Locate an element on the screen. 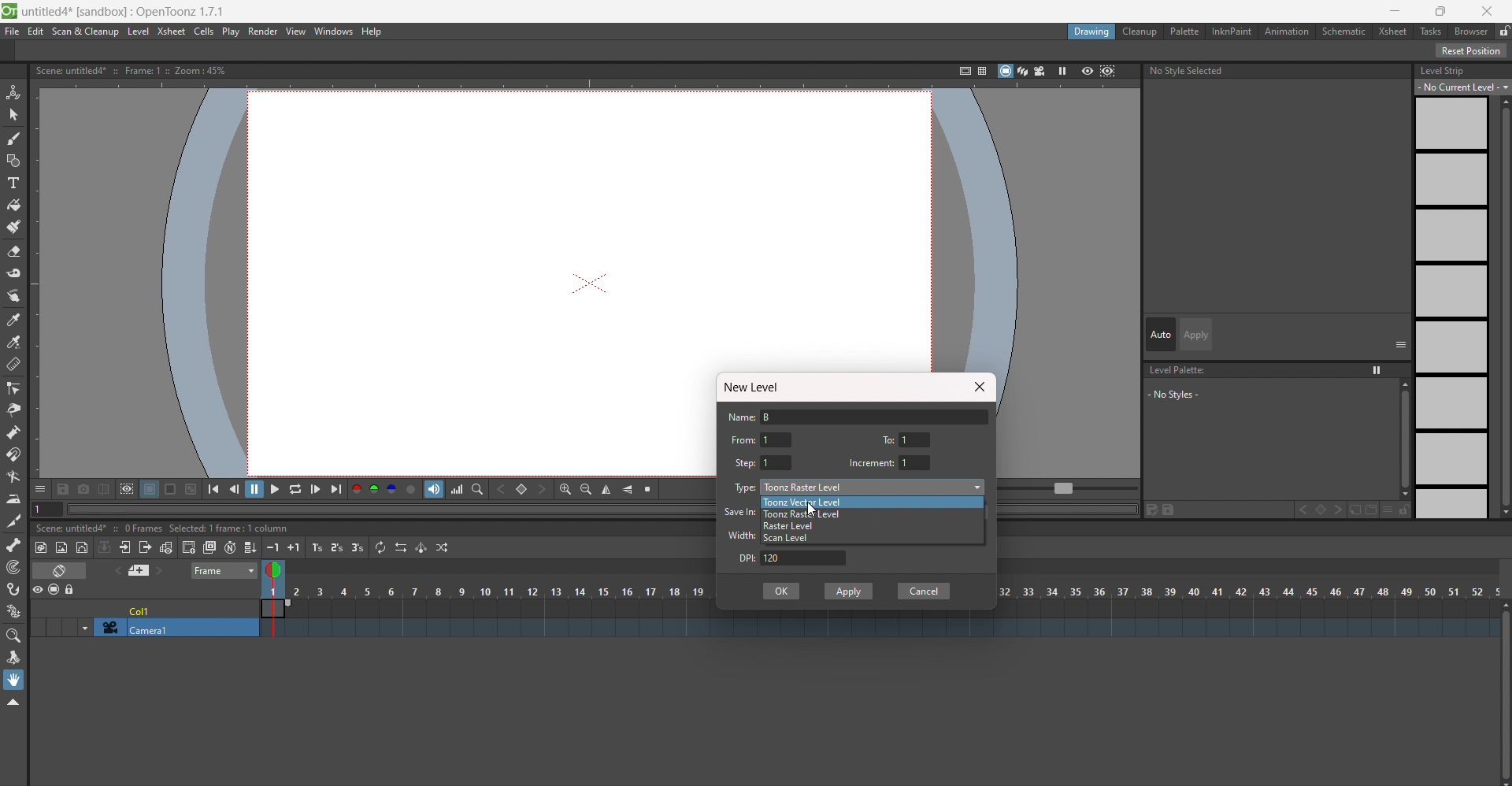  locator is located at coordinates (477, 488).